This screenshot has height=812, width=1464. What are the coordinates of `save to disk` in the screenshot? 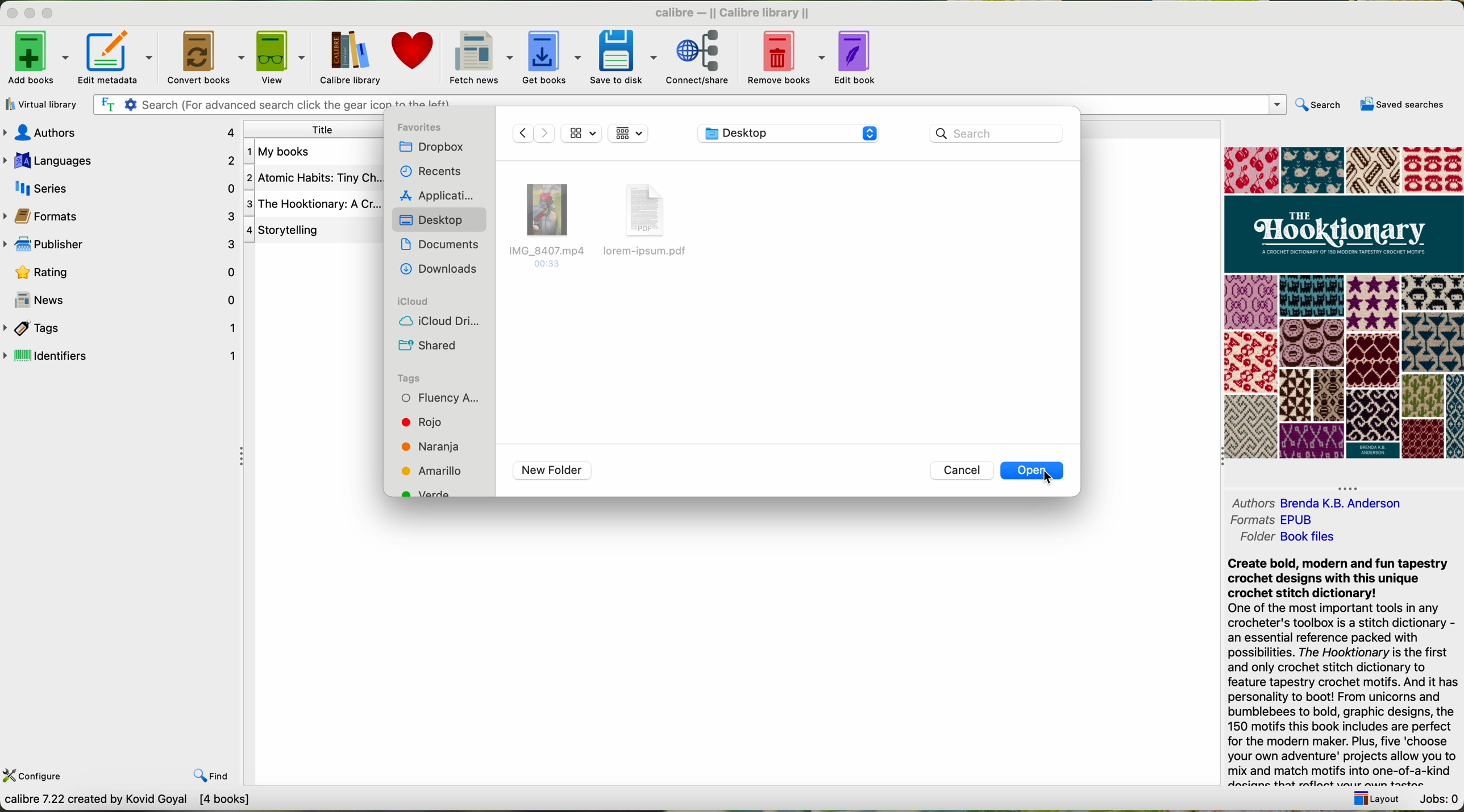 It's located at (623, 57).